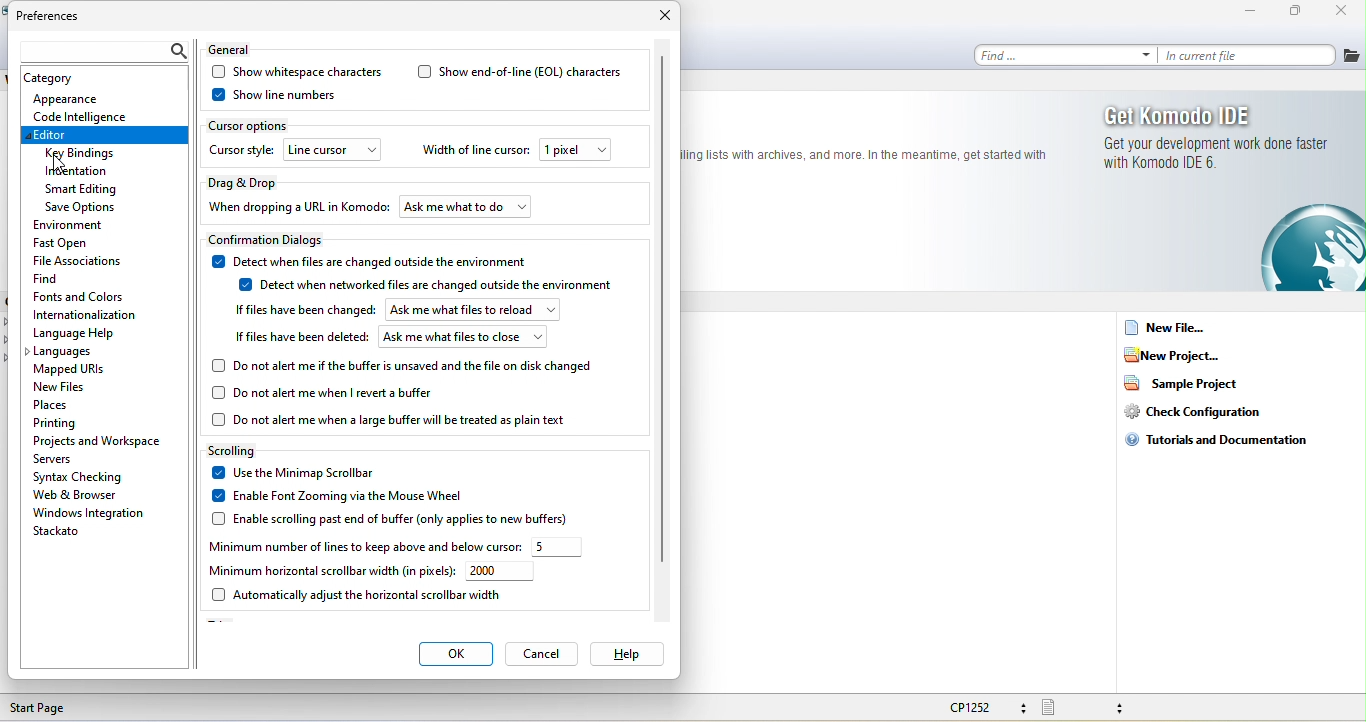 This screenshot has height=722, width=1366. Describe the element at coordinates (401, 518) in the screenshot. I see `enable scrolling past end of buffer` at that location.